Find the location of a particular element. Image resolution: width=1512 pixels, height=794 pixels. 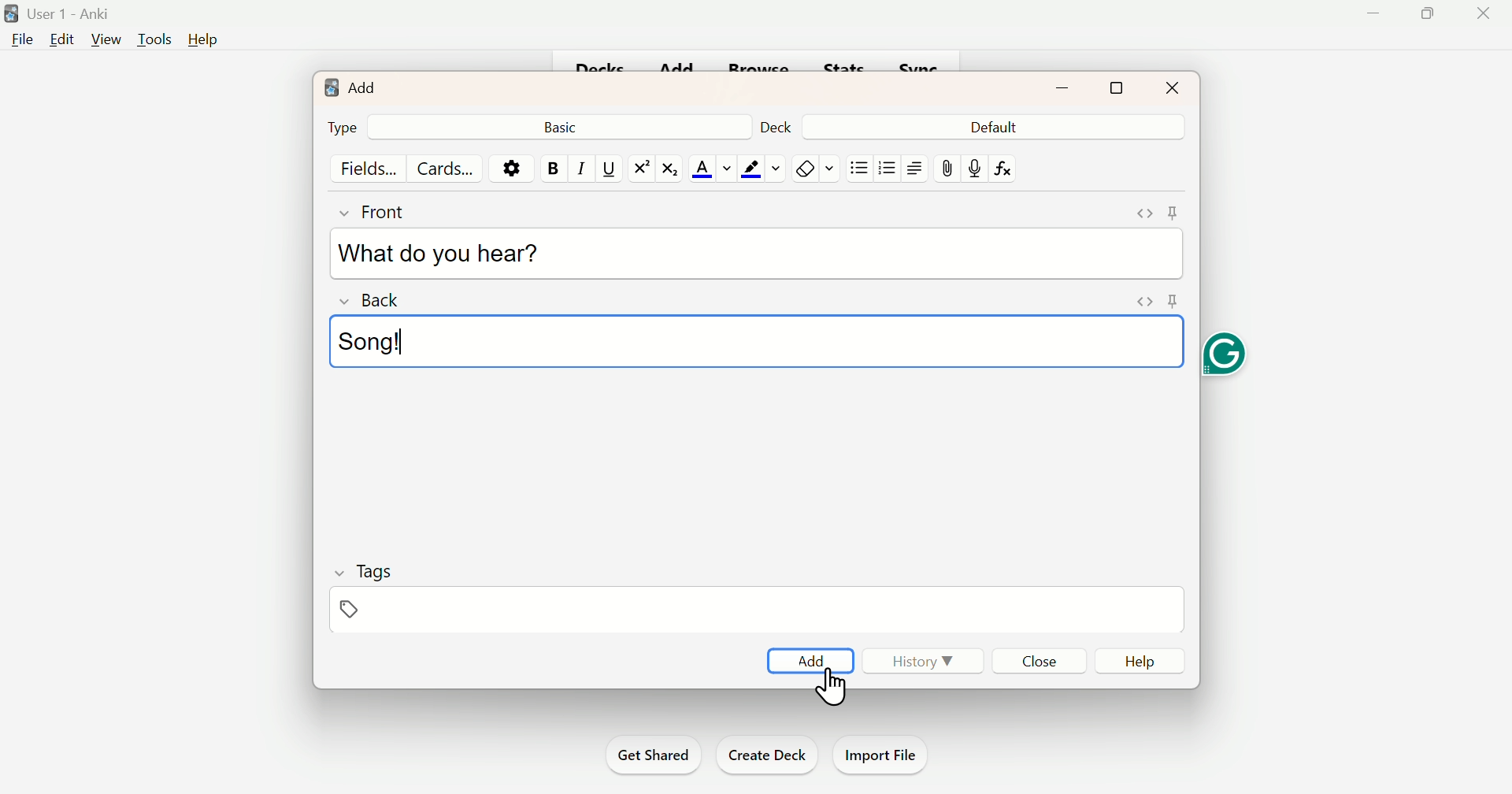

Basic is located at coordinates (566, 127).